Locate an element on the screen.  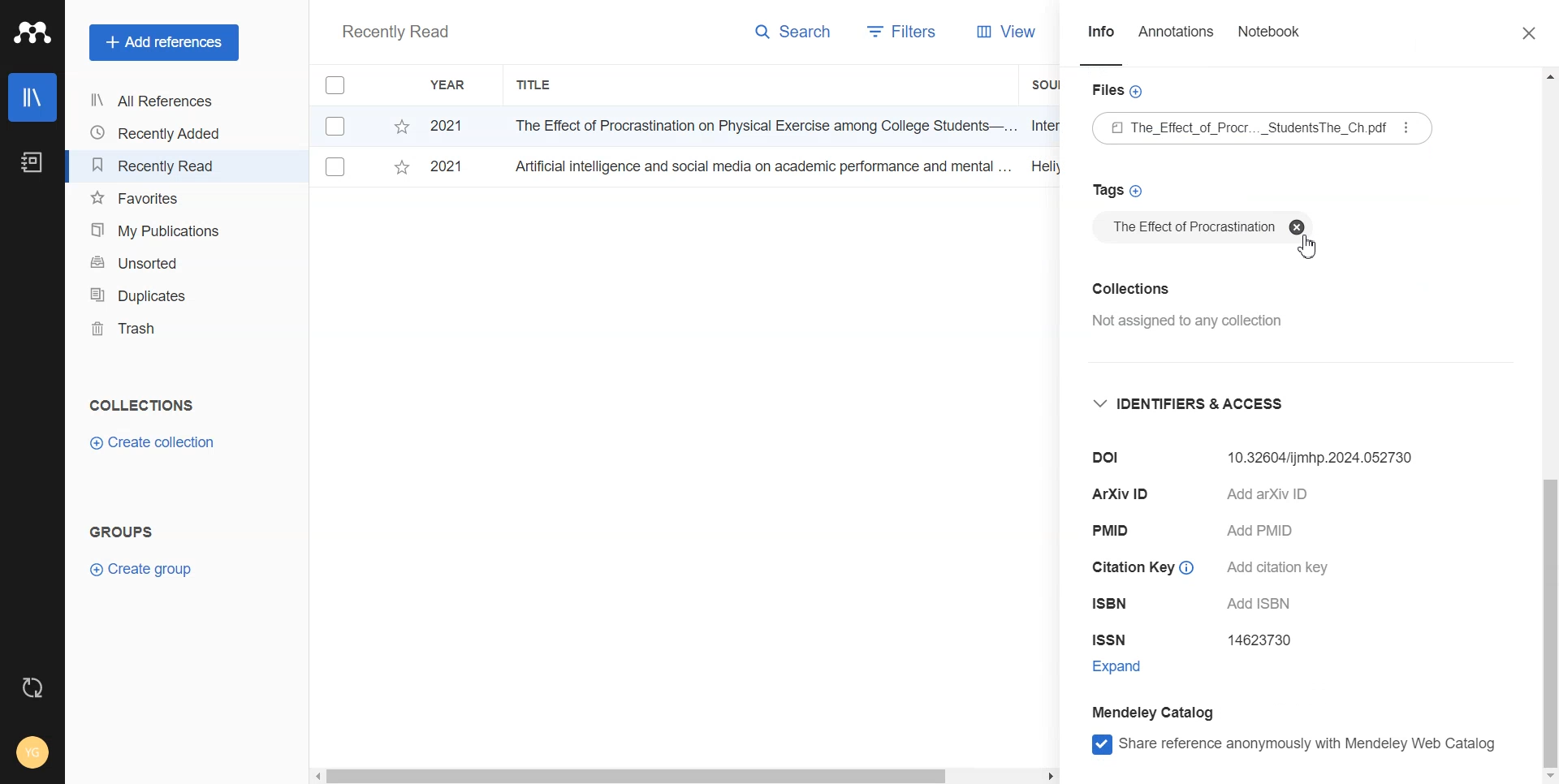
Collections is located at coordinates (141, 405).